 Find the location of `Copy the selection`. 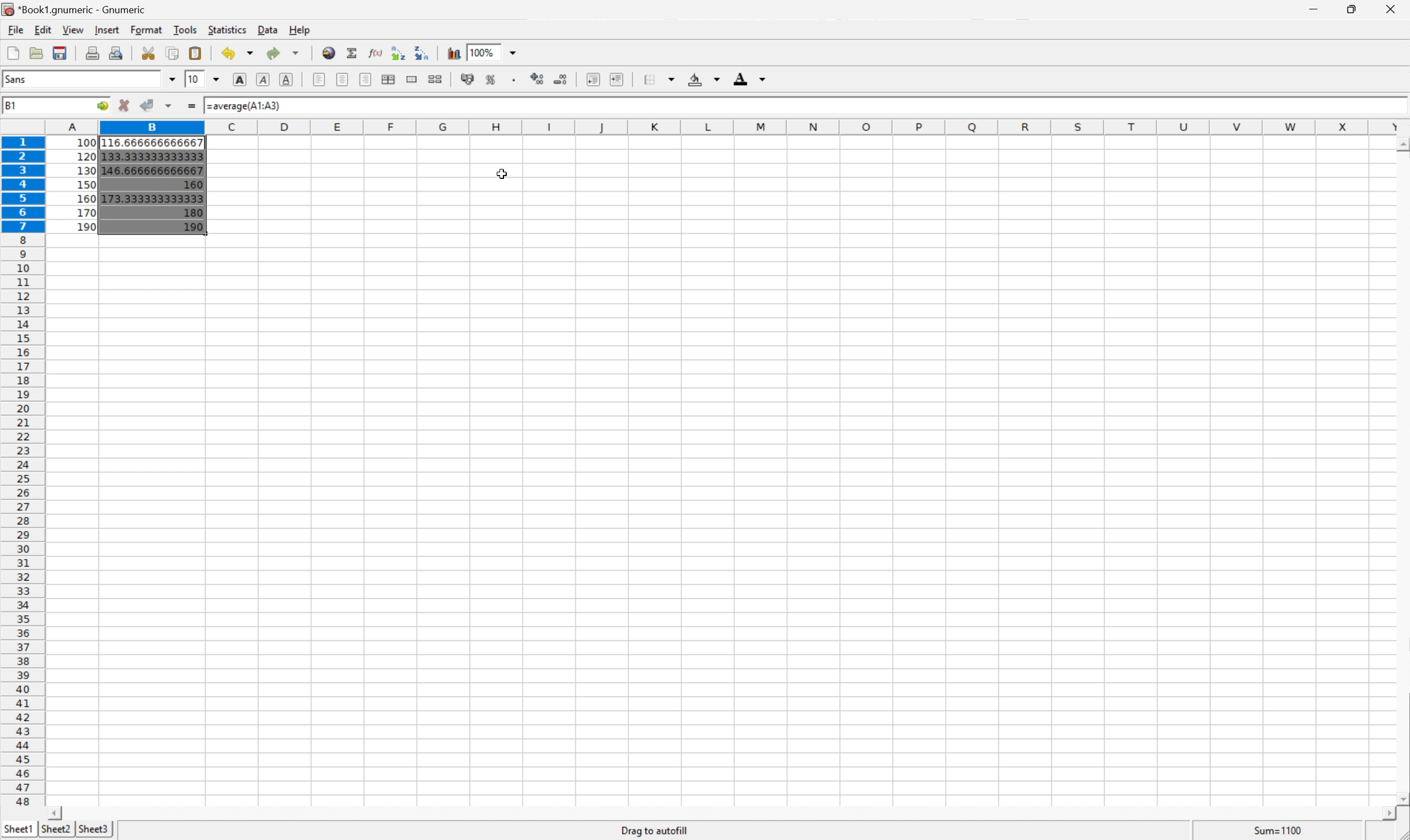

Copy the selection is located at coordinates (173, 54).